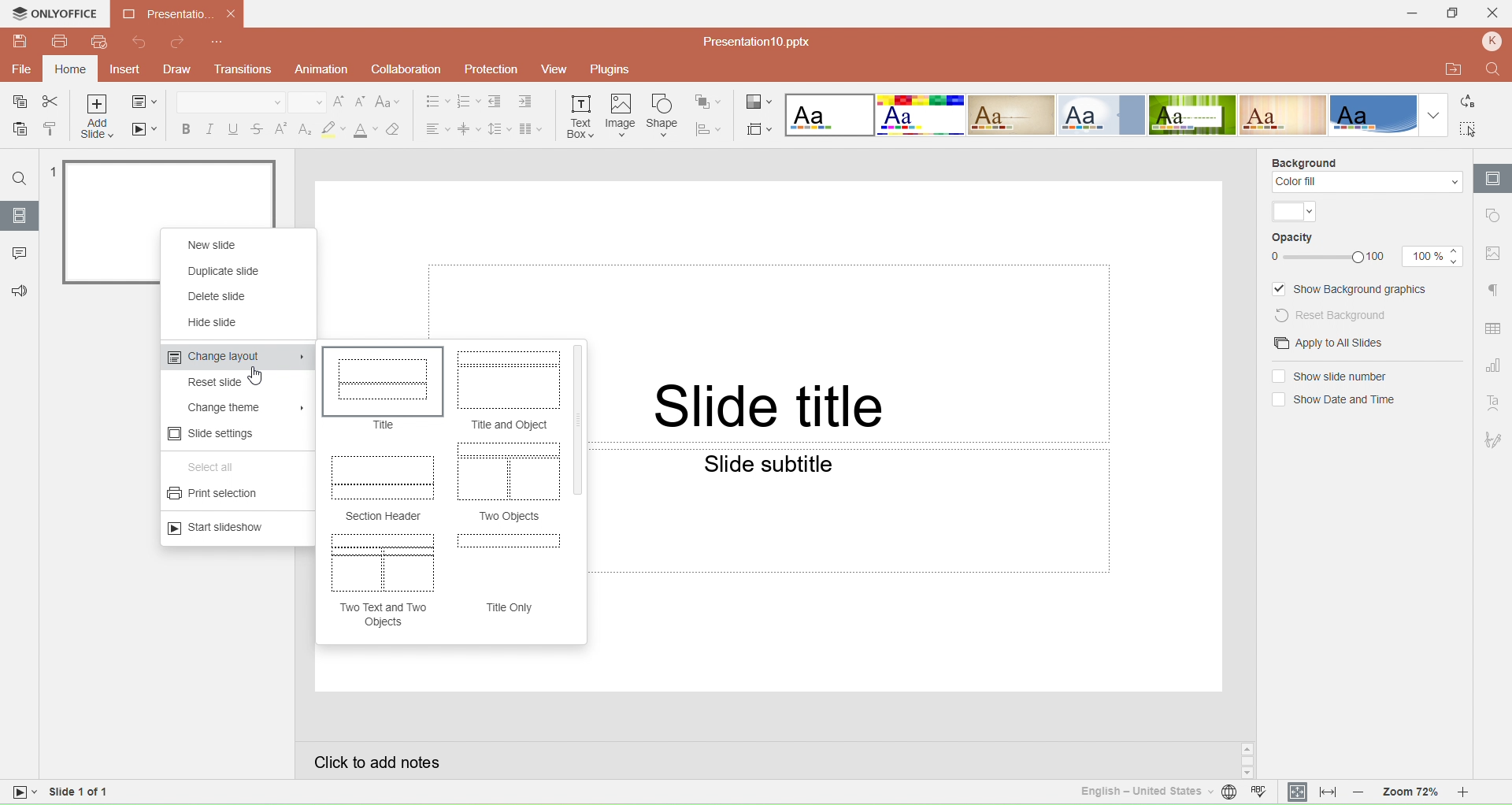 Image resolution: width=1512 pixels, height=805 pixels. Describe the element at coordinates (246, 70) in the screenshot. I see `Transitions` at that location.